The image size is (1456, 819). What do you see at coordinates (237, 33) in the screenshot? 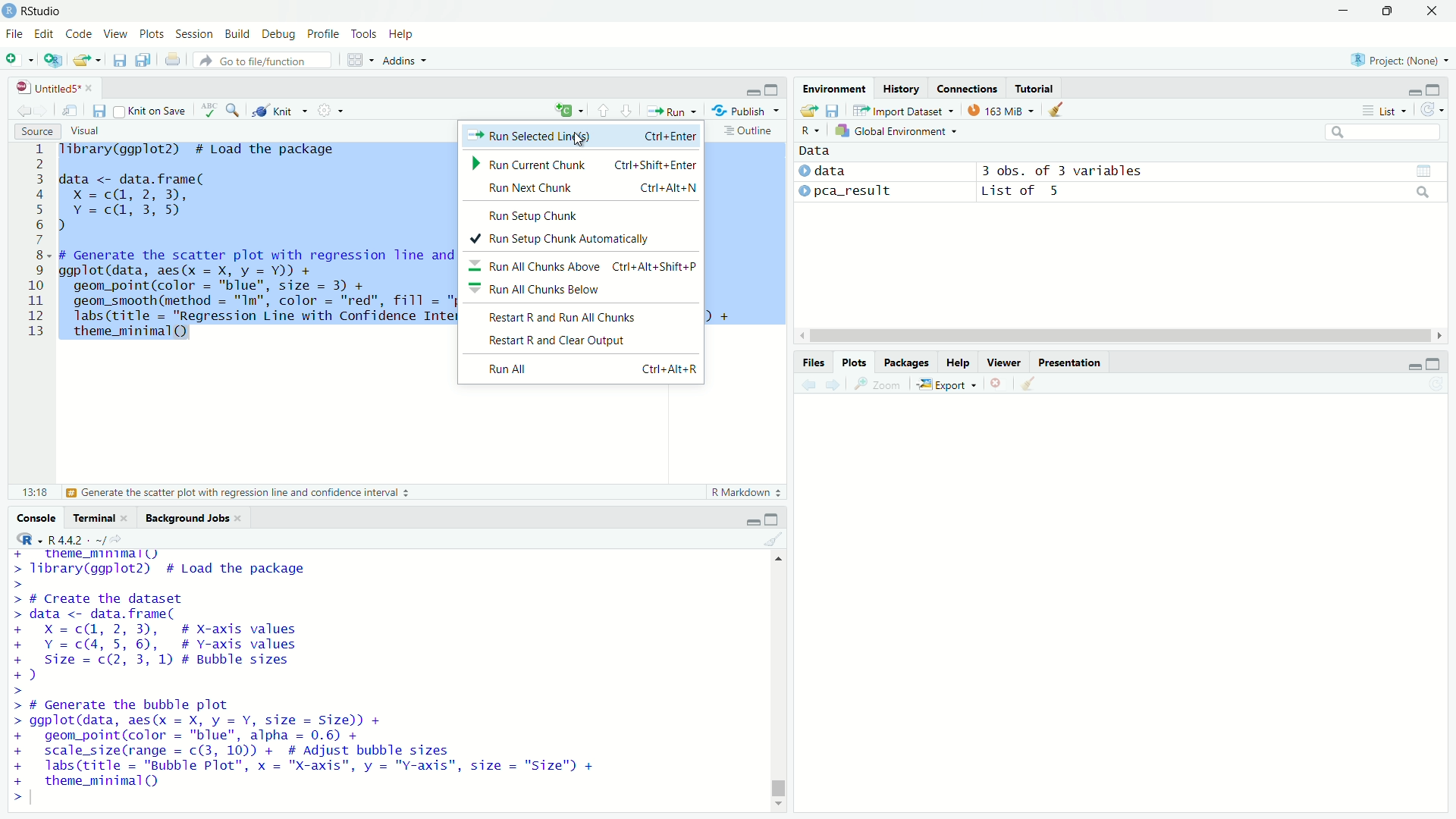
I see `Build` at bounding box center [237, 33].